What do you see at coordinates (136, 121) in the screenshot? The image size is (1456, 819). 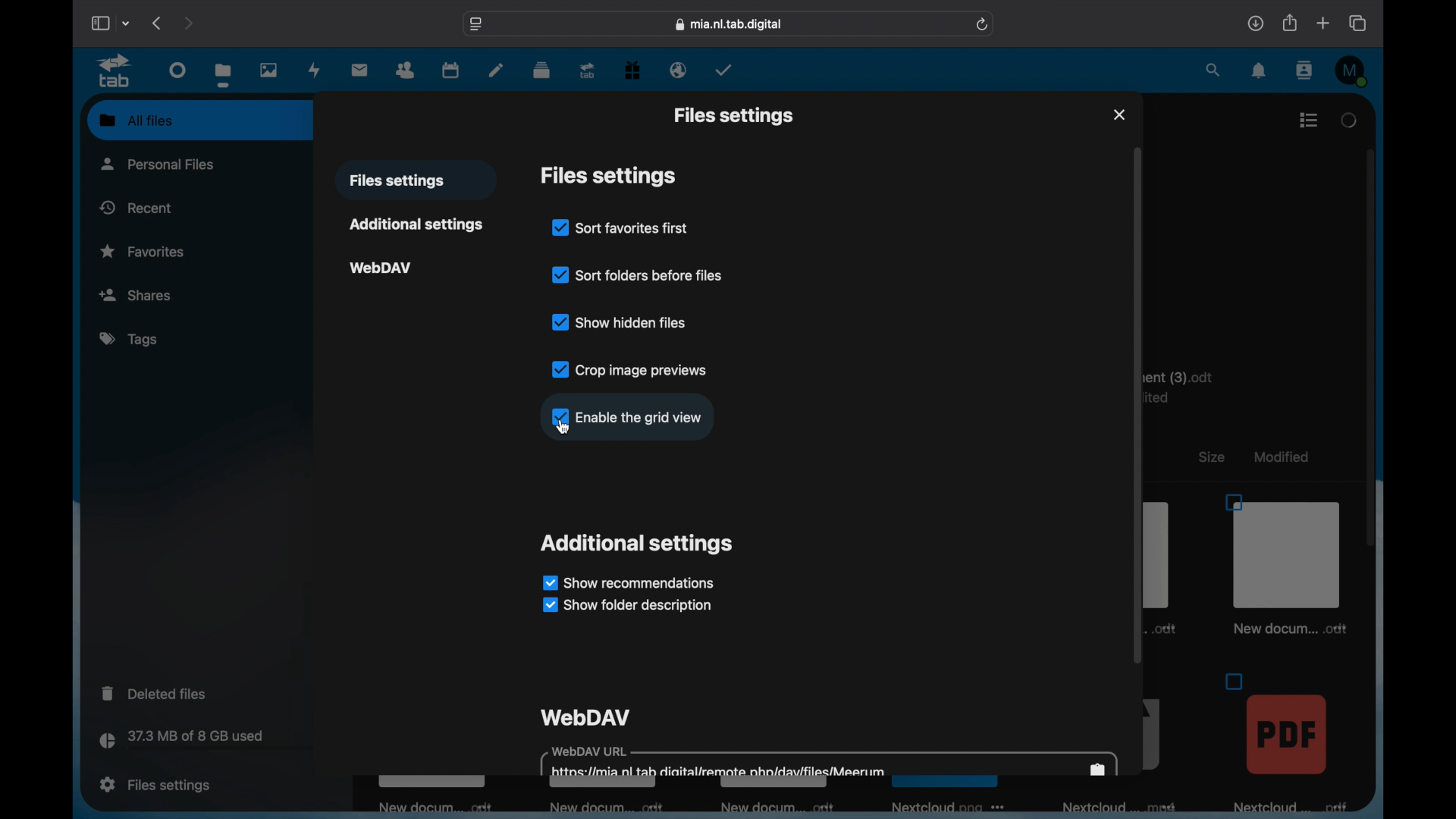 I see `all fiels` at bounding box center [136, 121].